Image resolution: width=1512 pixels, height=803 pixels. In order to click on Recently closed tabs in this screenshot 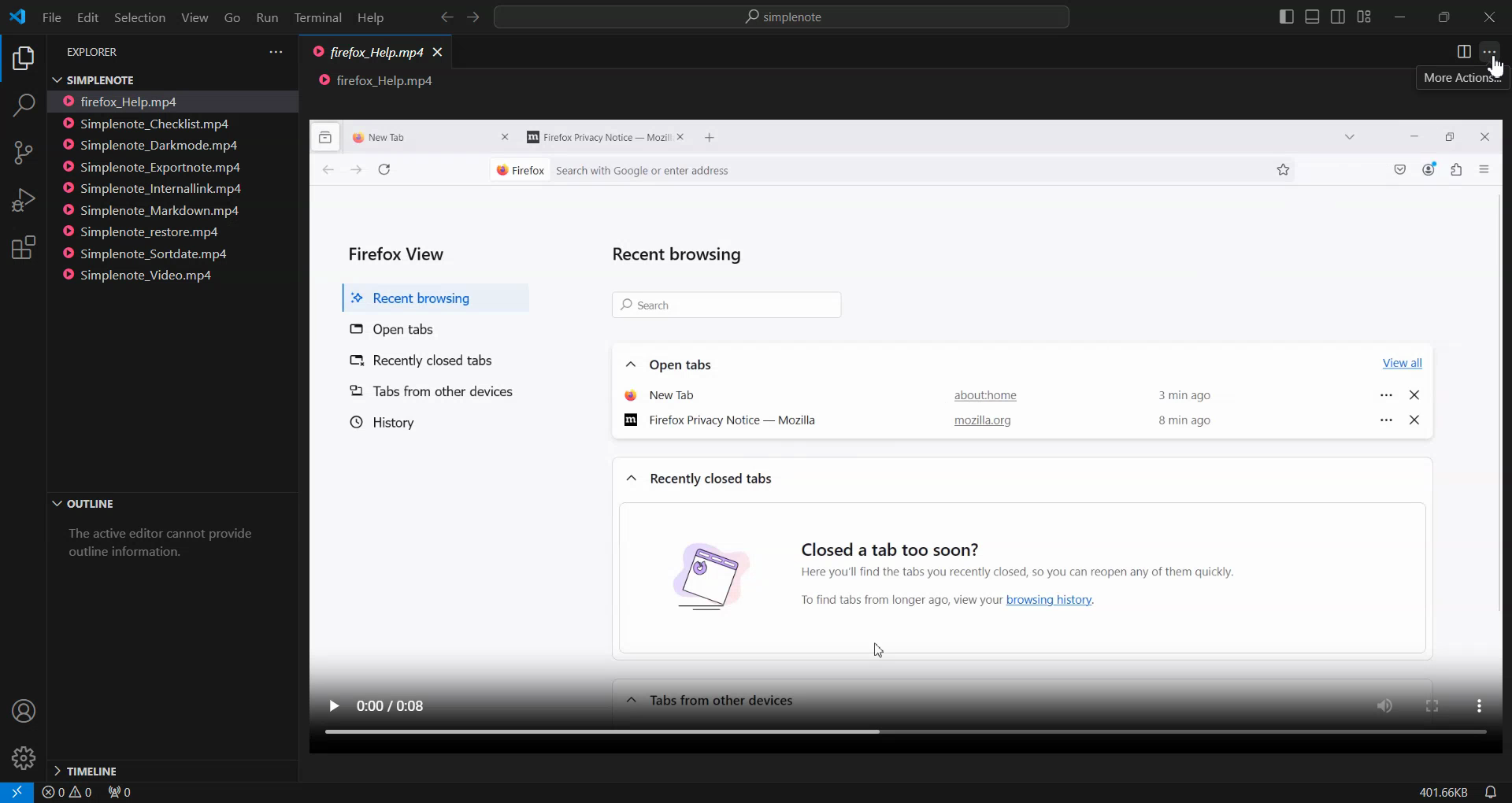, I will do `click(700, 479)`.